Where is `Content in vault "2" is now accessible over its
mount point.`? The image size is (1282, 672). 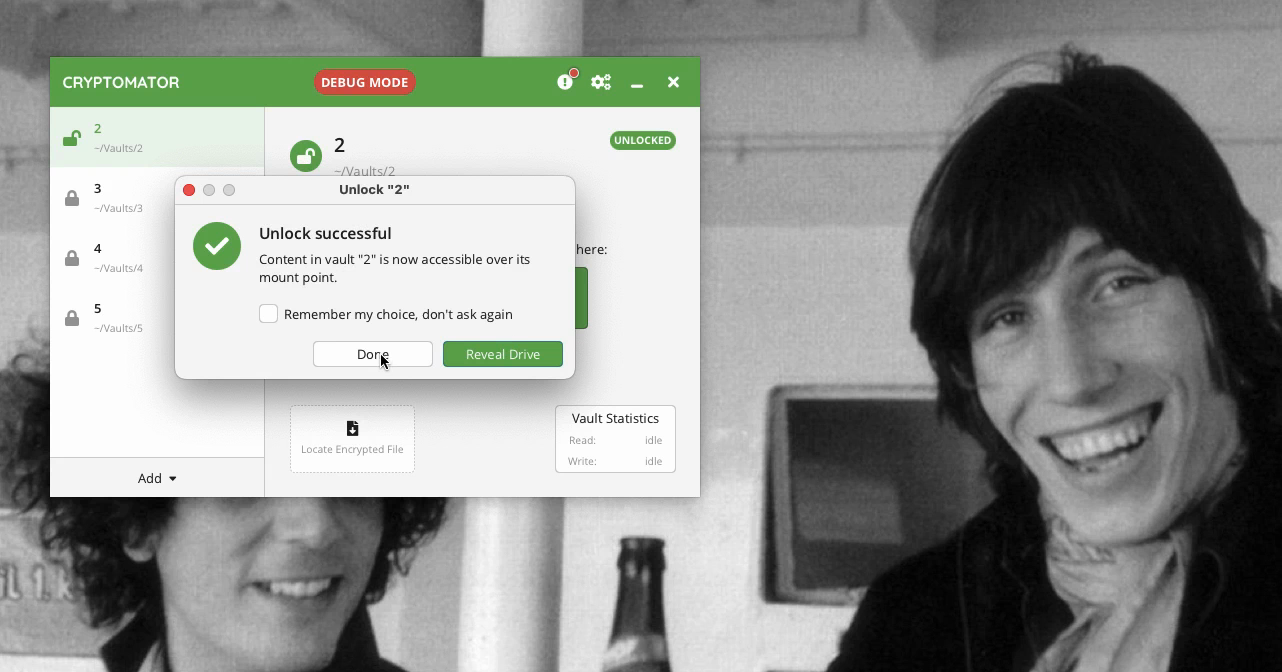
Content in vault "2" is now accessible over its
mount point. is located at coordinates (399, 268).